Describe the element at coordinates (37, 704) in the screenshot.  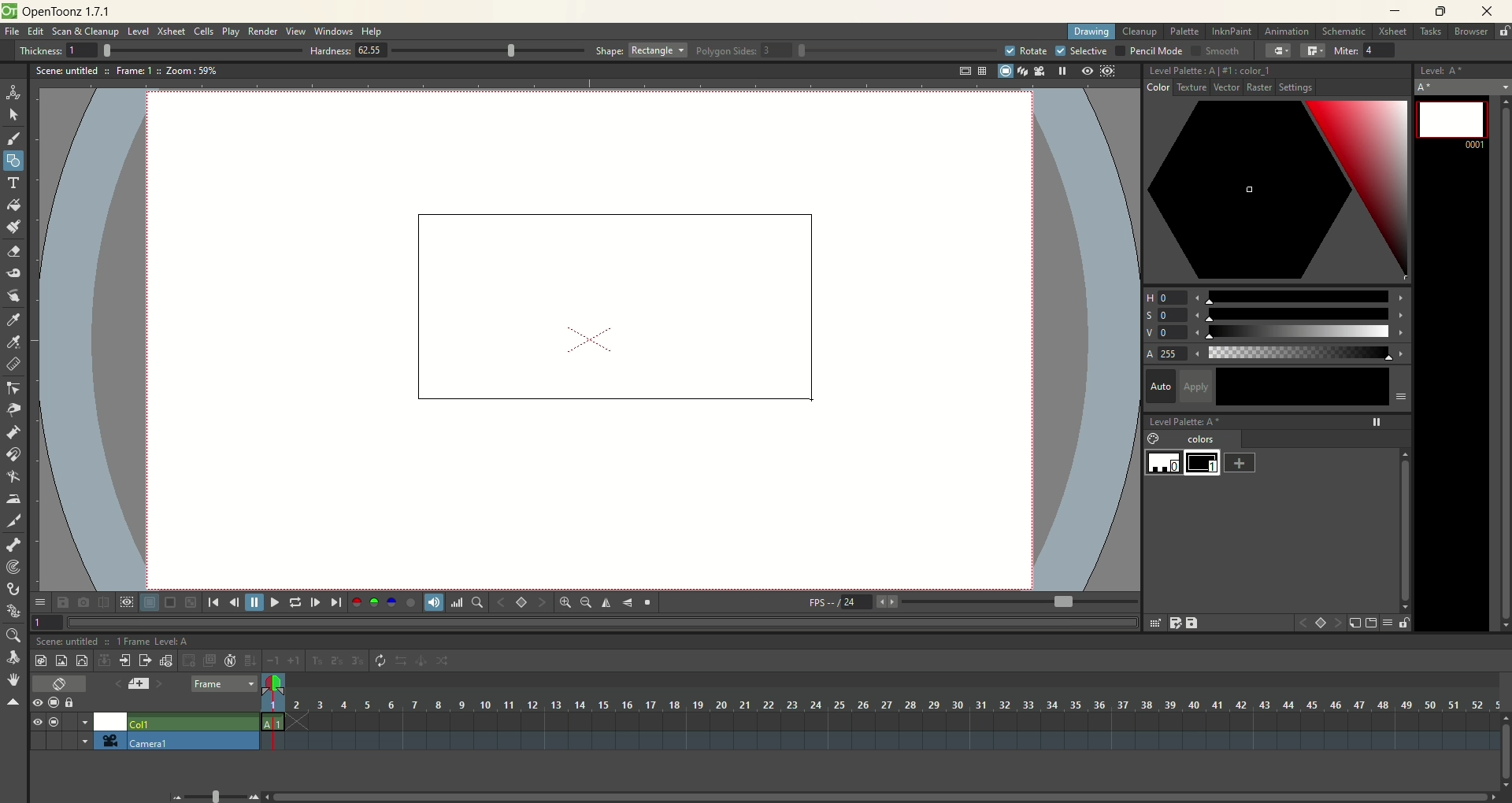
I see `preview visibility` at that location.